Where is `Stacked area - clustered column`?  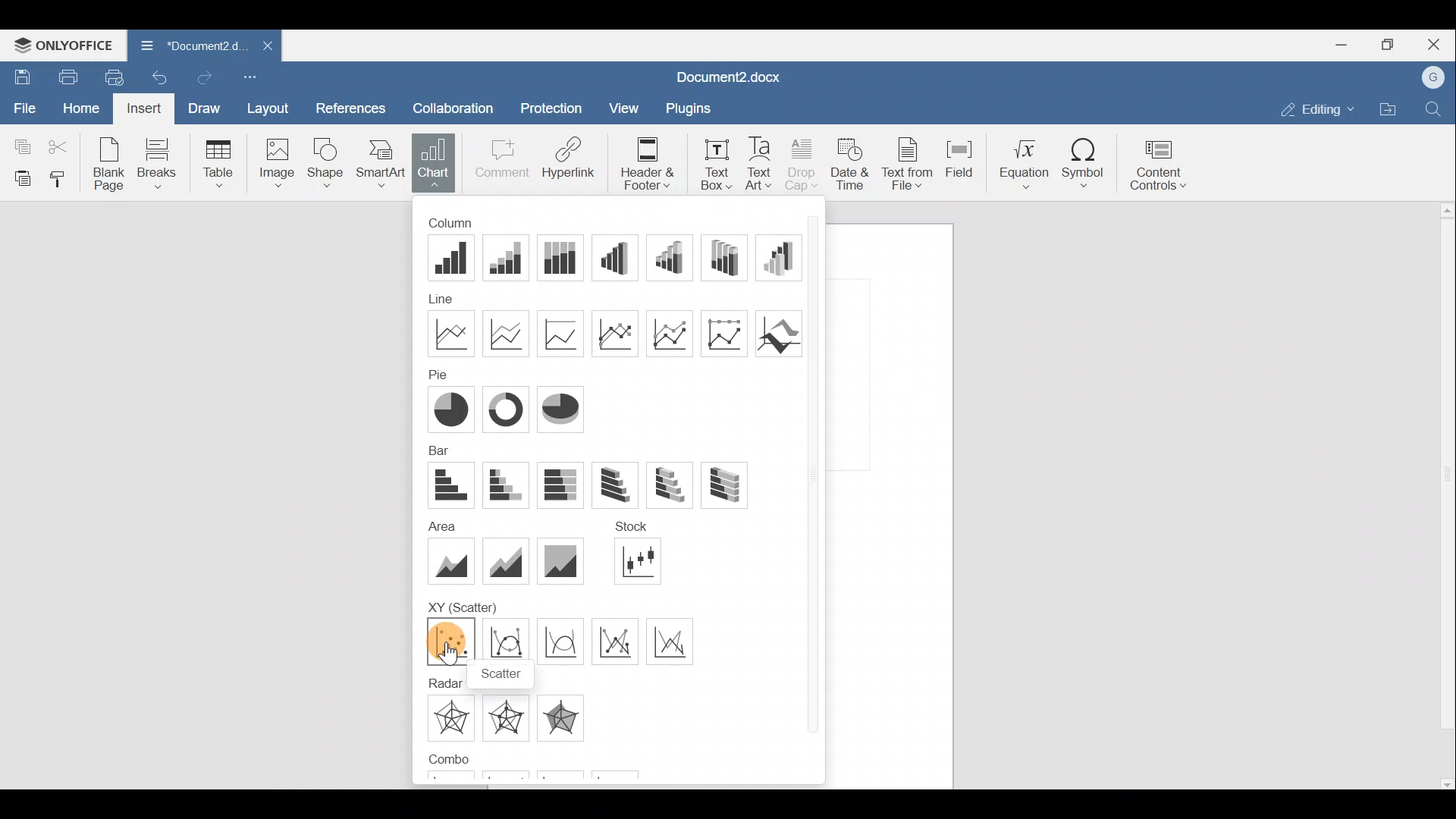
Stacked area - clustered column is located at coordinates (569, 779).